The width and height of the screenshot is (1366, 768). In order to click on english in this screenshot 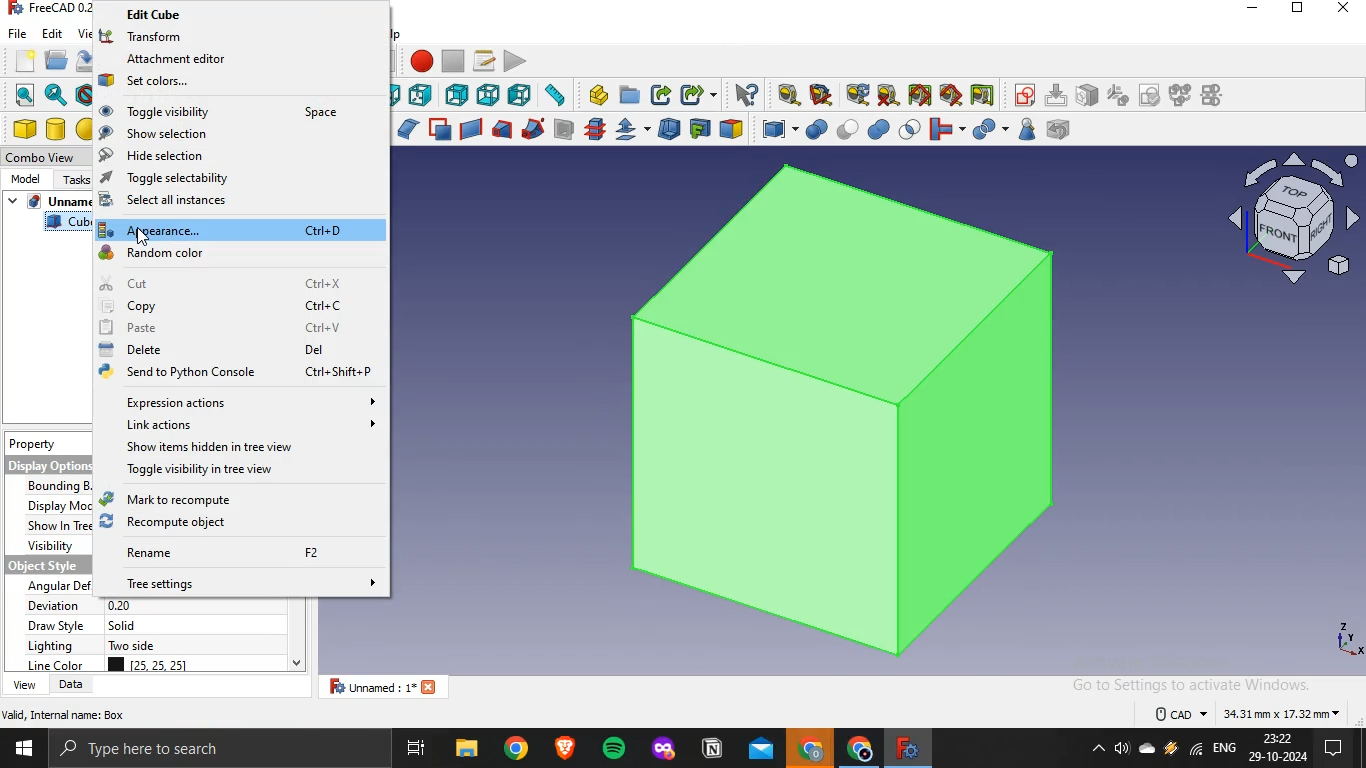, I will do `click(1225, 748)`.